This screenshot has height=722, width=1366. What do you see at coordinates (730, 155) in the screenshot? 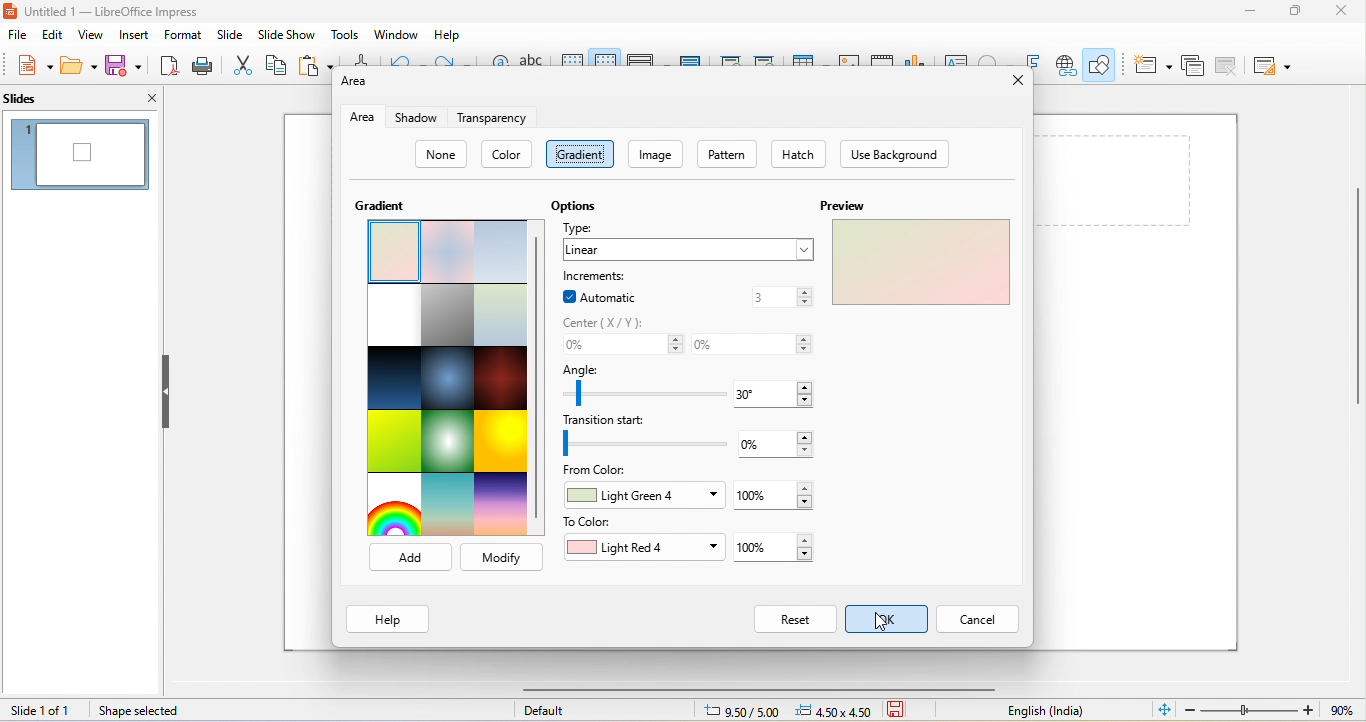
I see `pattern` at bounding box center [730, 155].